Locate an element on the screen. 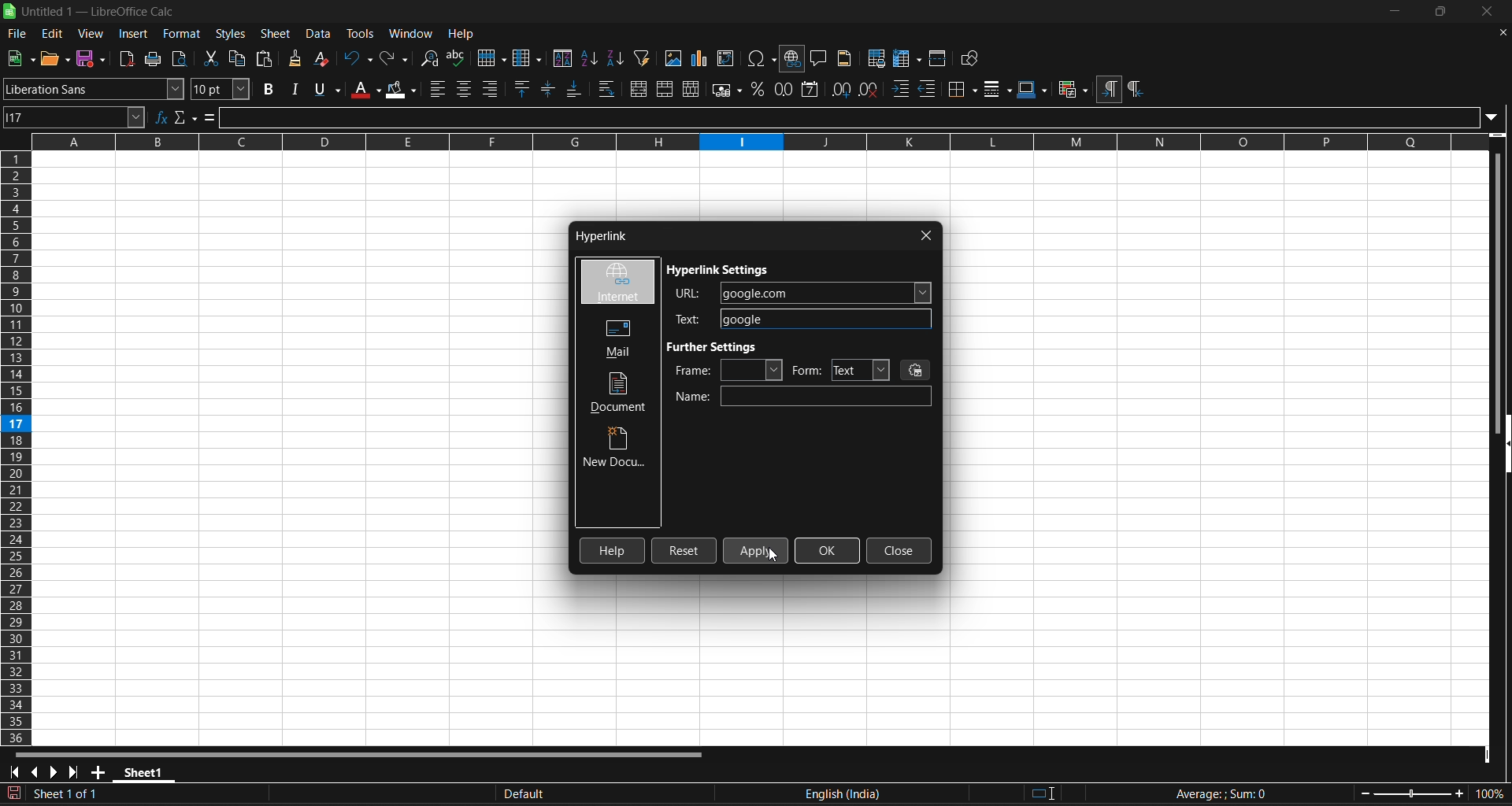  border styles is located at coordinates (998, 89).